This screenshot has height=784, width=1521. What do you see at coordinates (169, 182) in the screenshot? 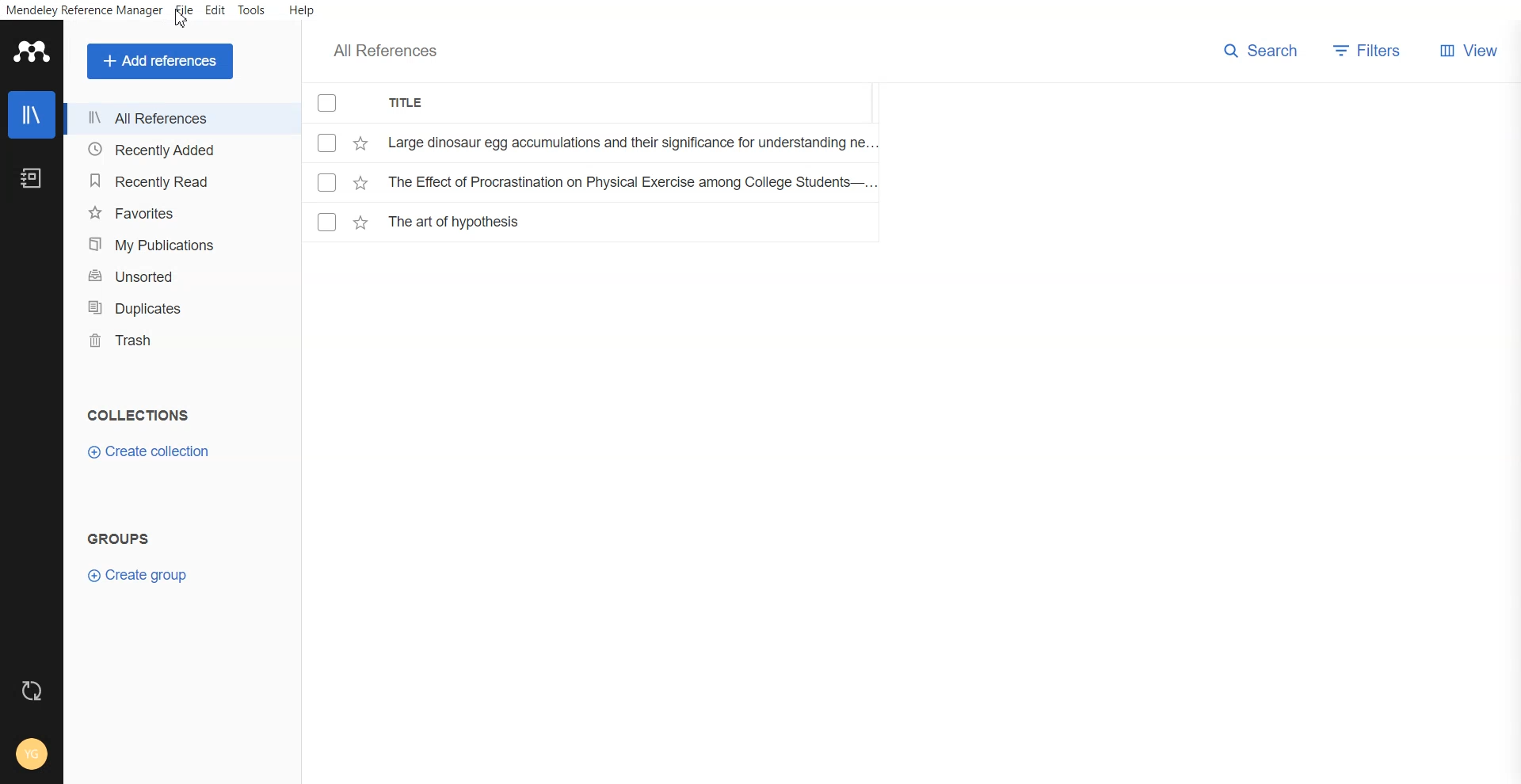
I see `Recently Read` at bounding box center [169, 182].